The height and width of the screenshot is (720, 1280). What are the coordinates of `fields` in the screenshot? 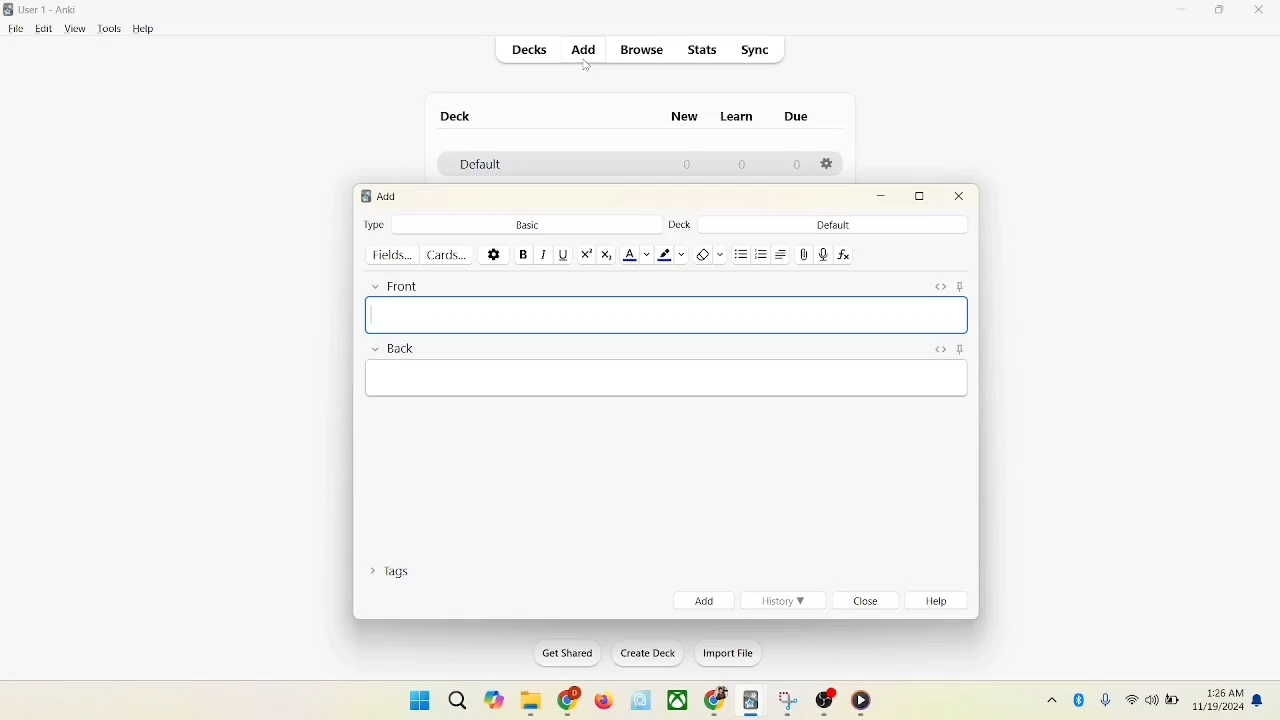 It's located at (394, 255).